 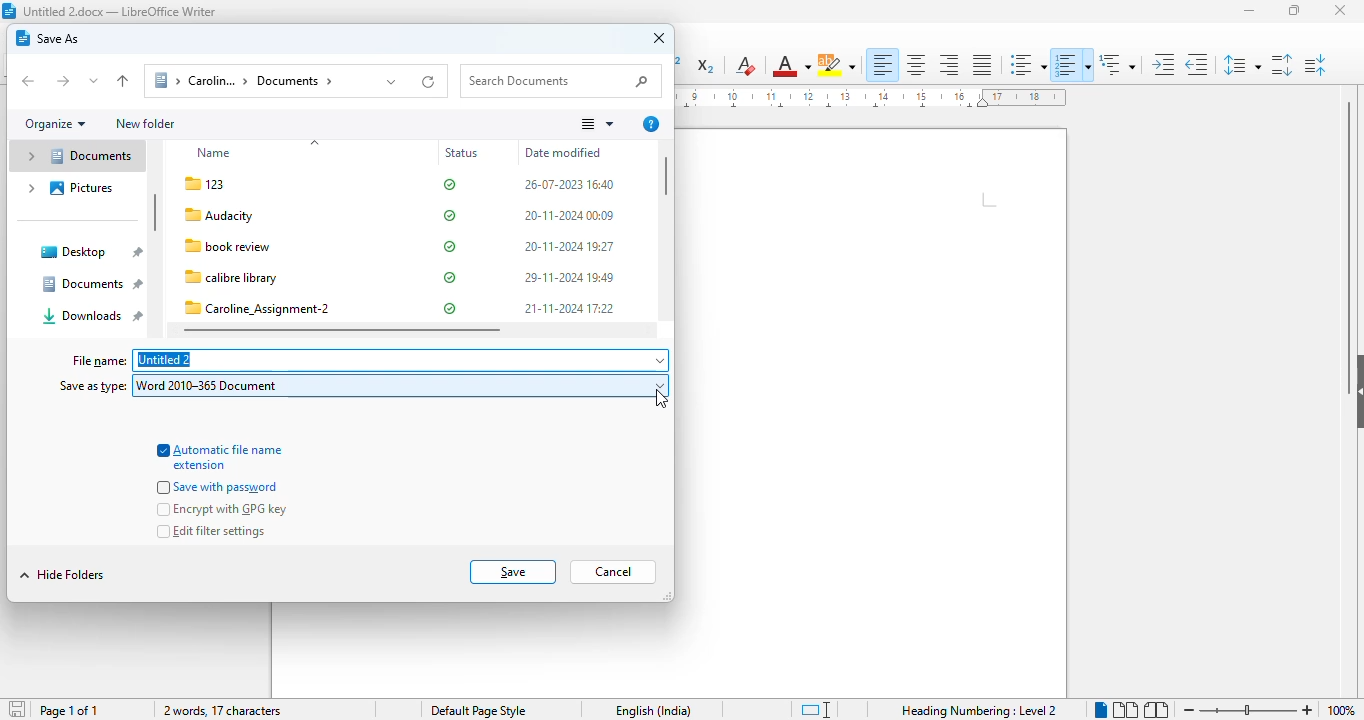 What do you see at coordinates (563, 152) in the screenshot?
I see `date modified` at bounding box center [563, 152].